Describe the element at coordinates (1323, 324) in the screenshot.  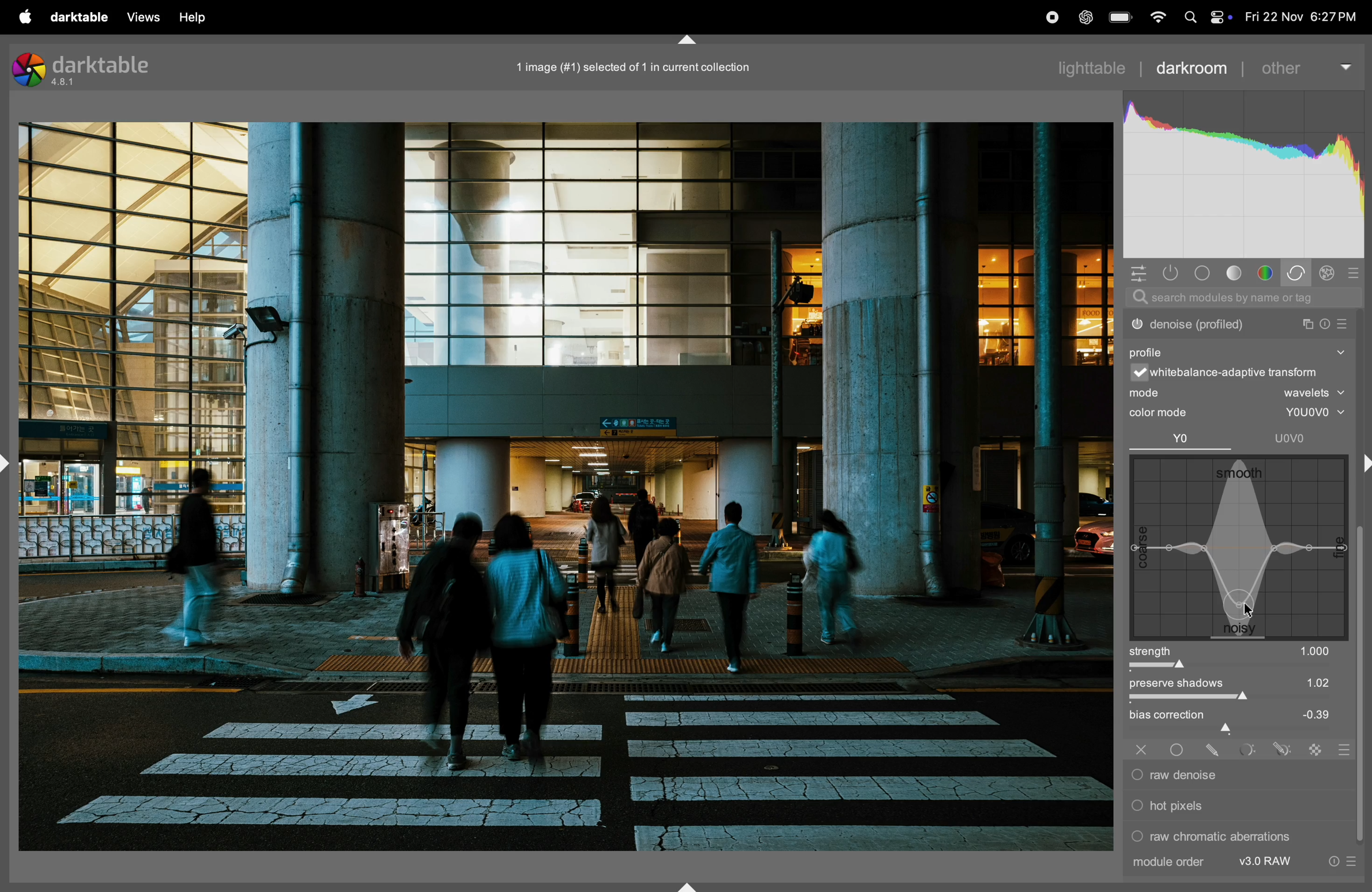
I see `reset` at that location.